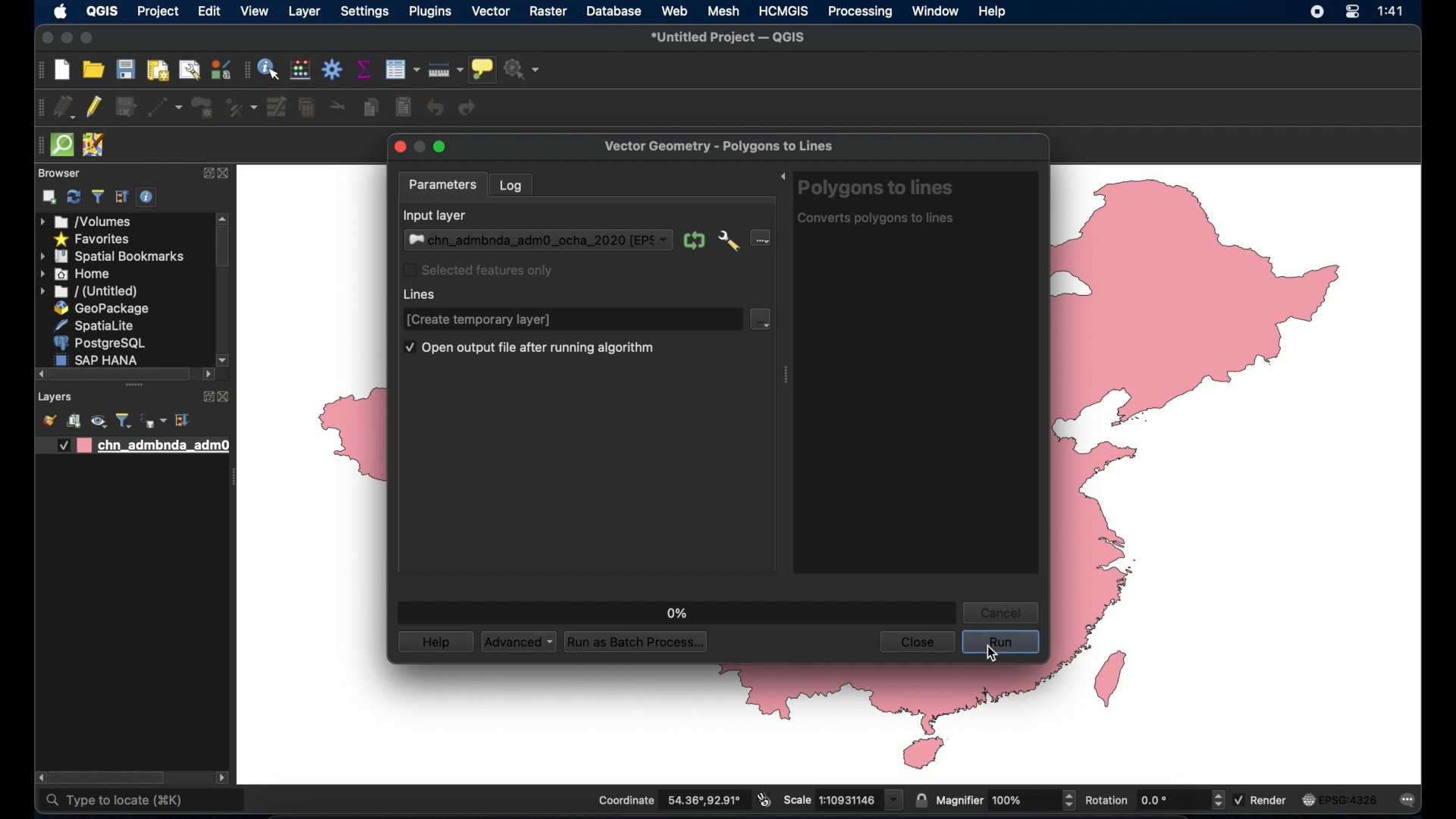 This screenshot has width=1456, height=819. What do you see at coordinates (245, 71) in the screenshot?
I see `attributes toolbar` at bounding box center [245, 71].